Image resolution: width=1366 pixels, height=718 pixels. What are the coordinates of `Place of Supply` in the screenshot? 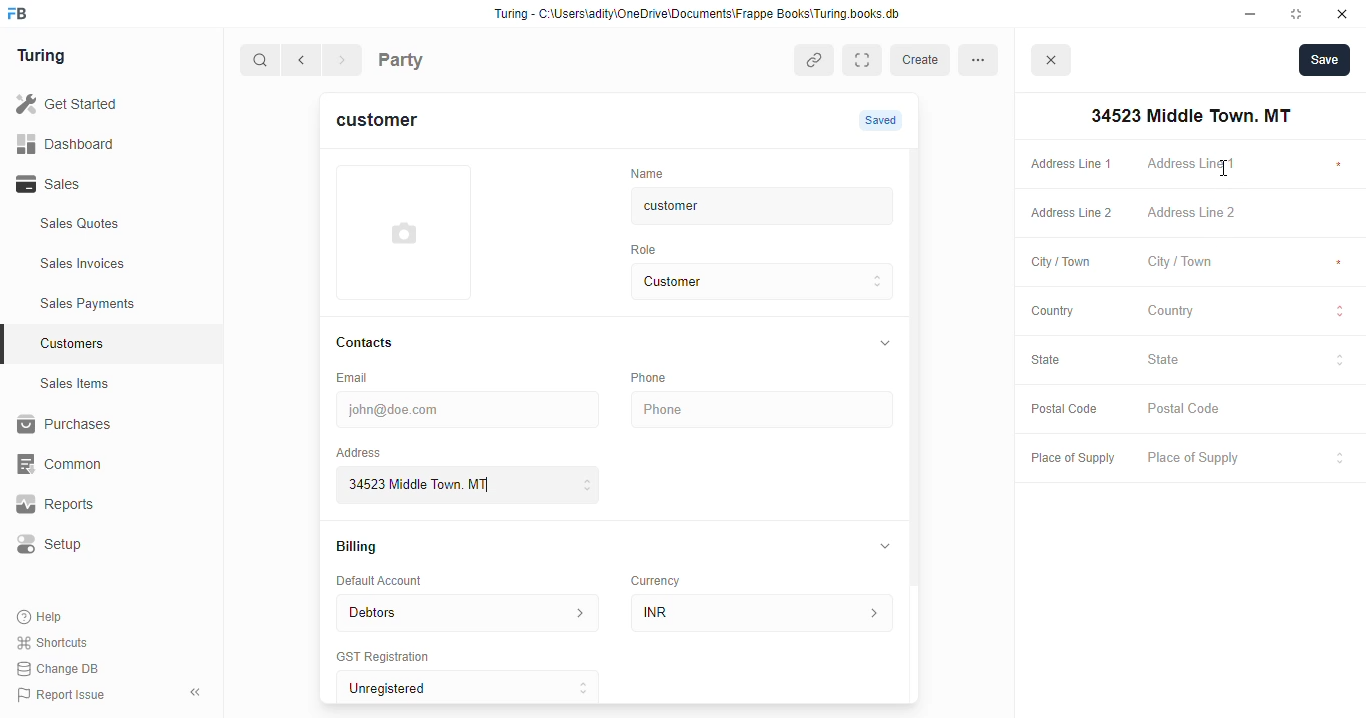 It's located at (1243, 459).